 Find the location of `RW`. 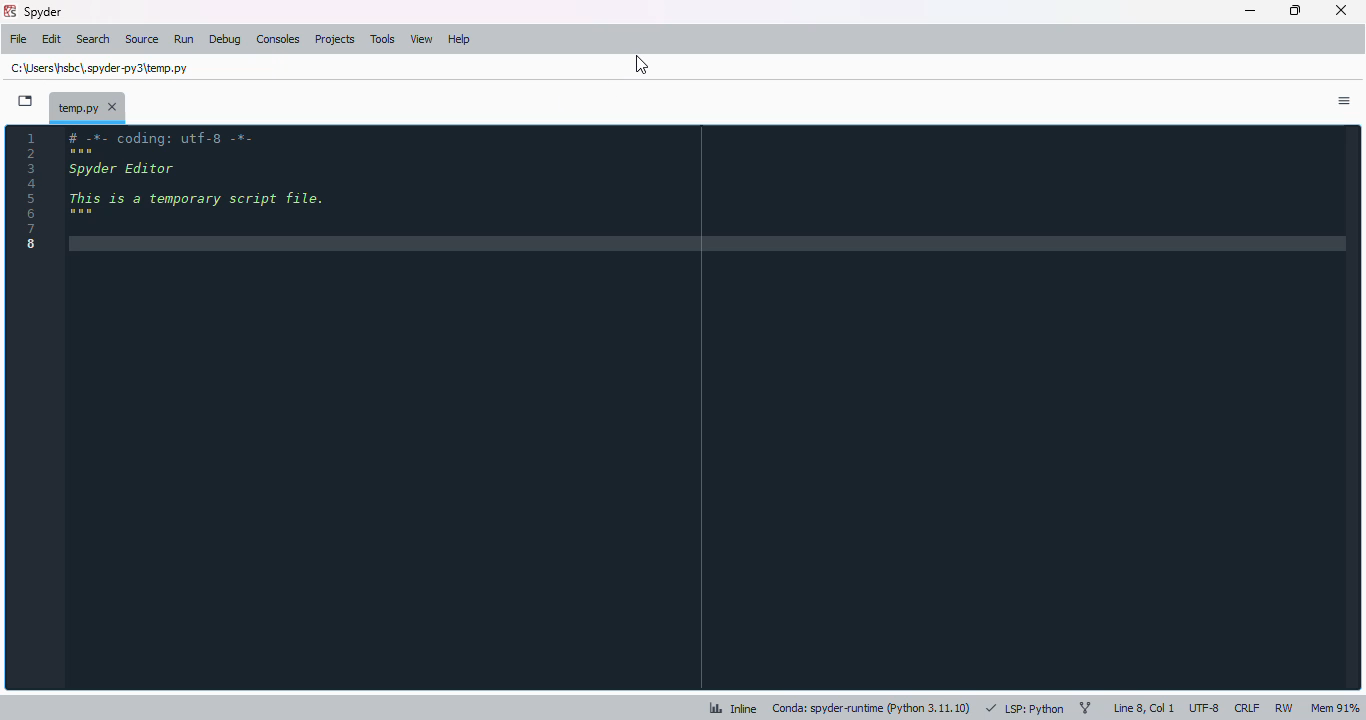

RW is located at coordinates (1285, 707).